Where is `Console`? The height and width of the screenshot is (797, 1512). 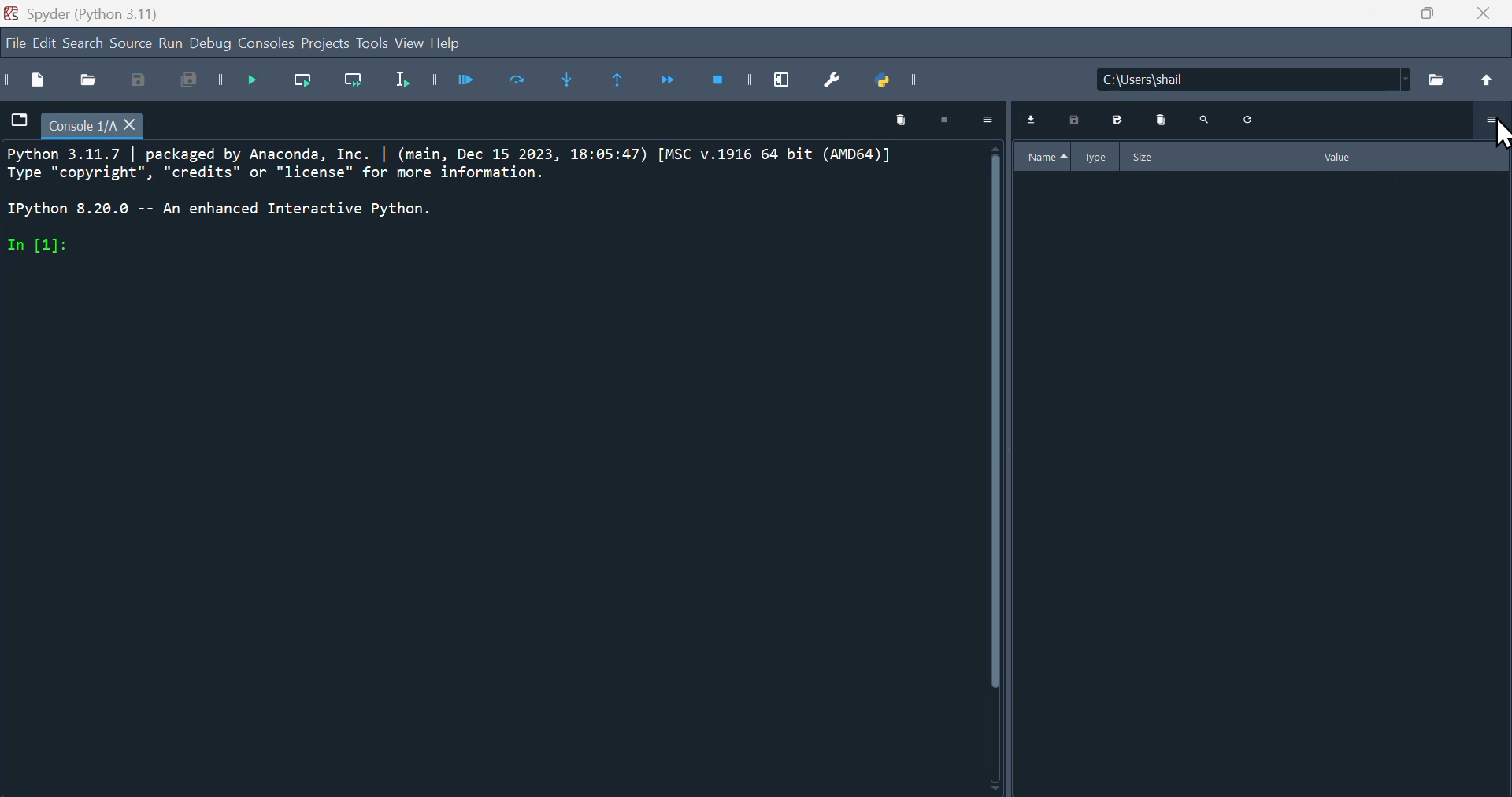
Console is located at coordinates (269, 45).